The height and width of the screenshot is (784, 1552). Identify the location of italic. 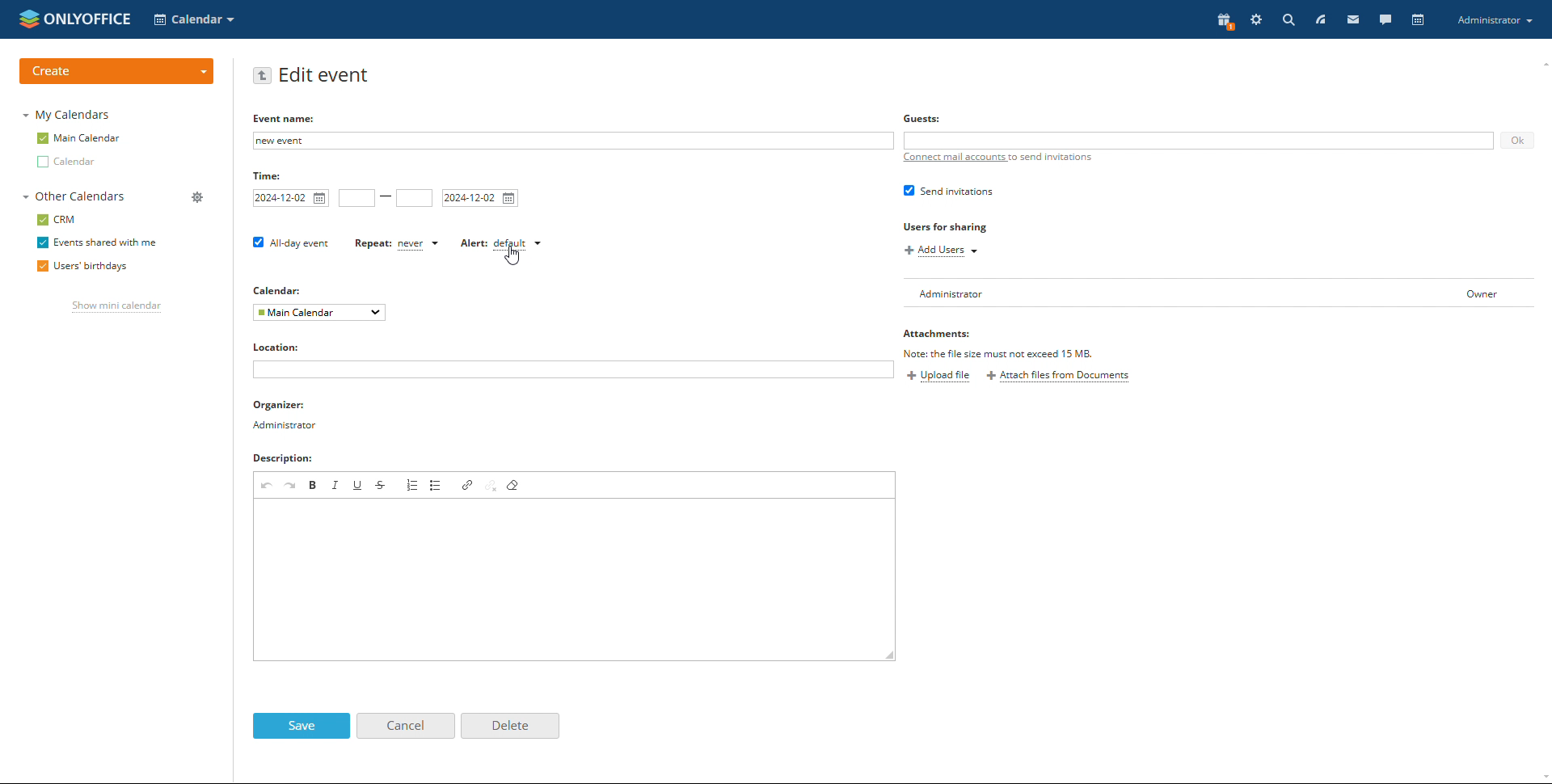
(335, 485).